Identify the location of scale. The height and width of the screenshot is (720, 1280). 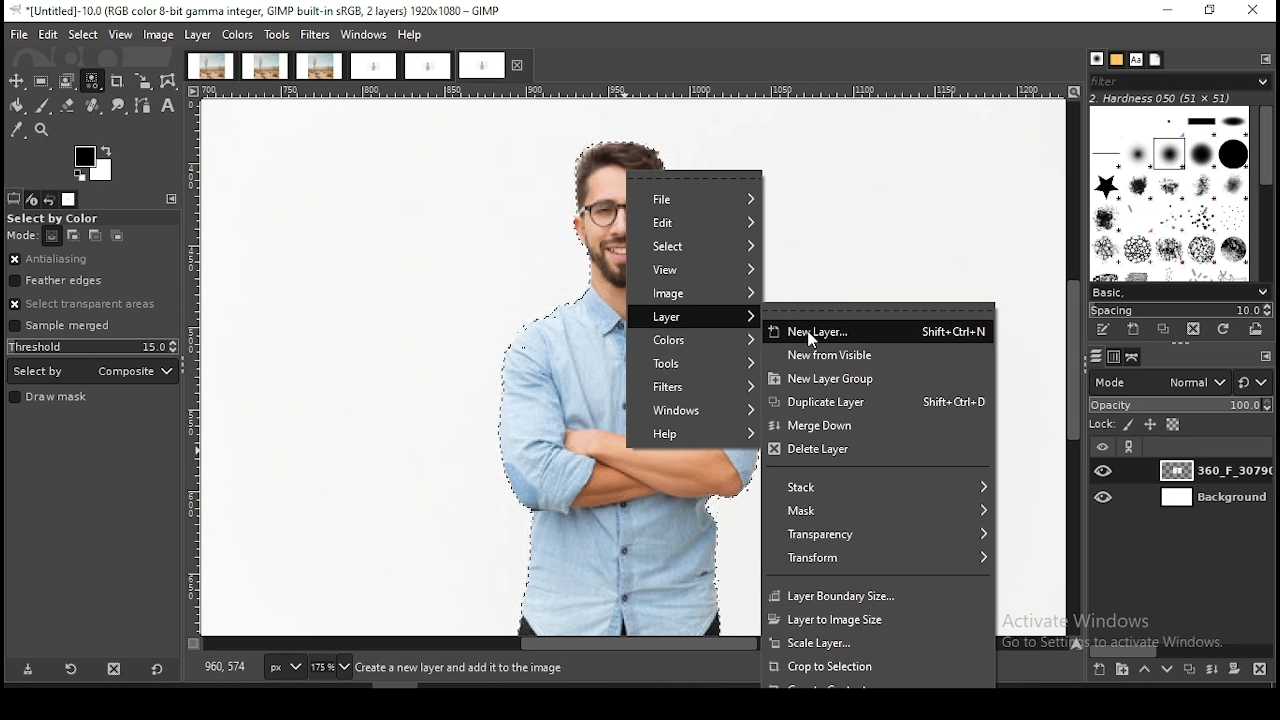
(637, 92).